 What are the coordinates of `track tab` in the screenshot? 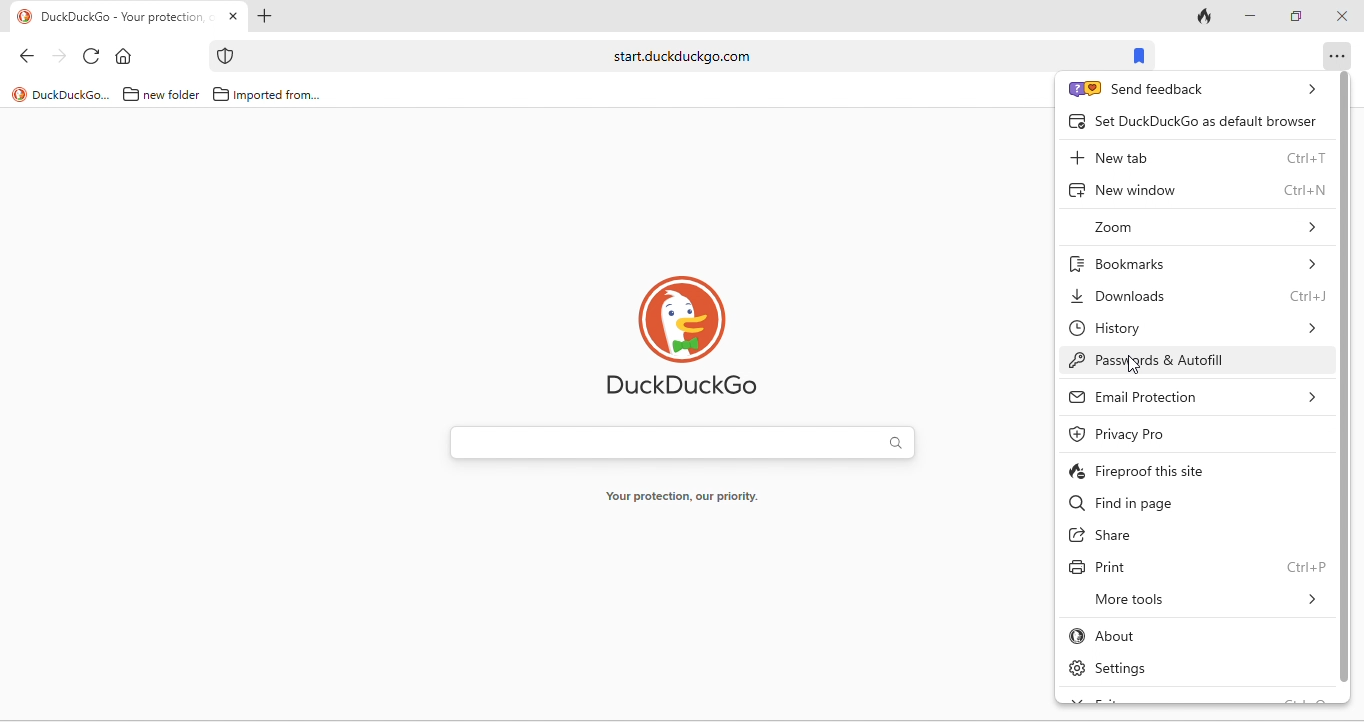 It's located at (1206, 15).